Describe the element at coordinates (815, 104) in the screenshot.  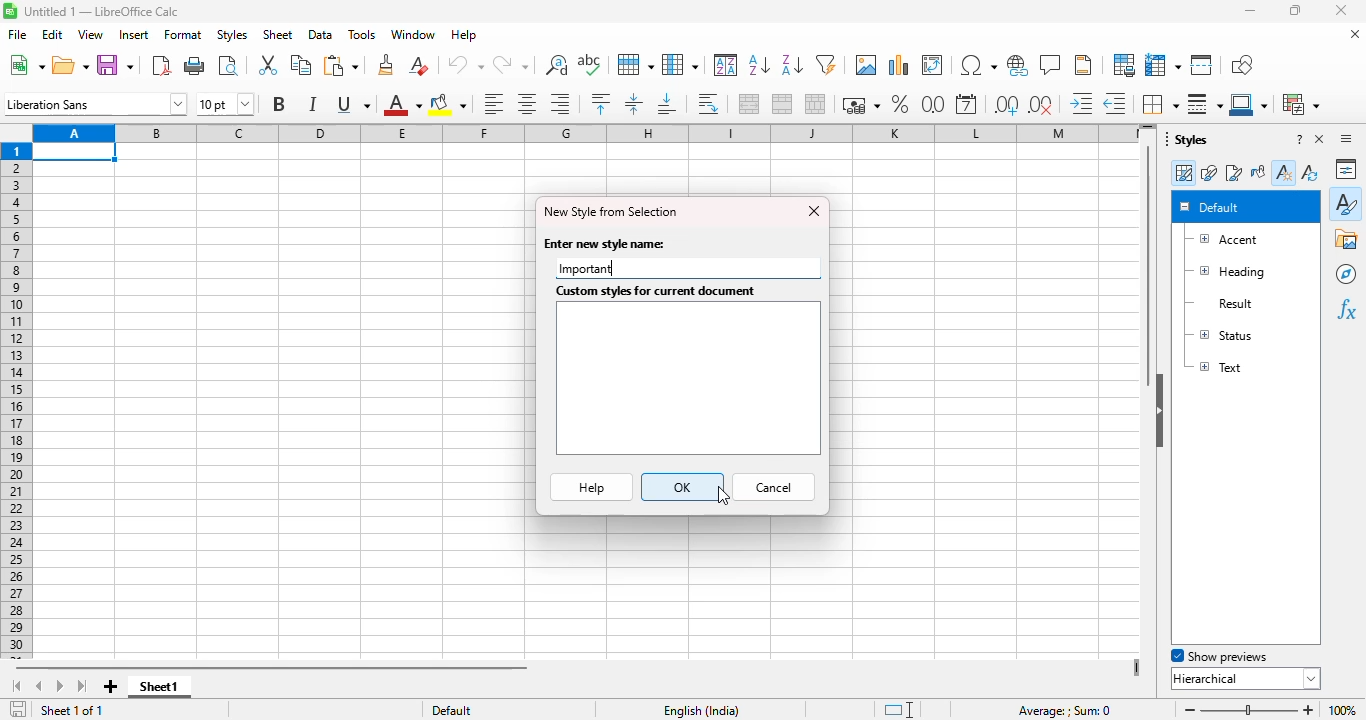
I see `unmerge cells` at that location.